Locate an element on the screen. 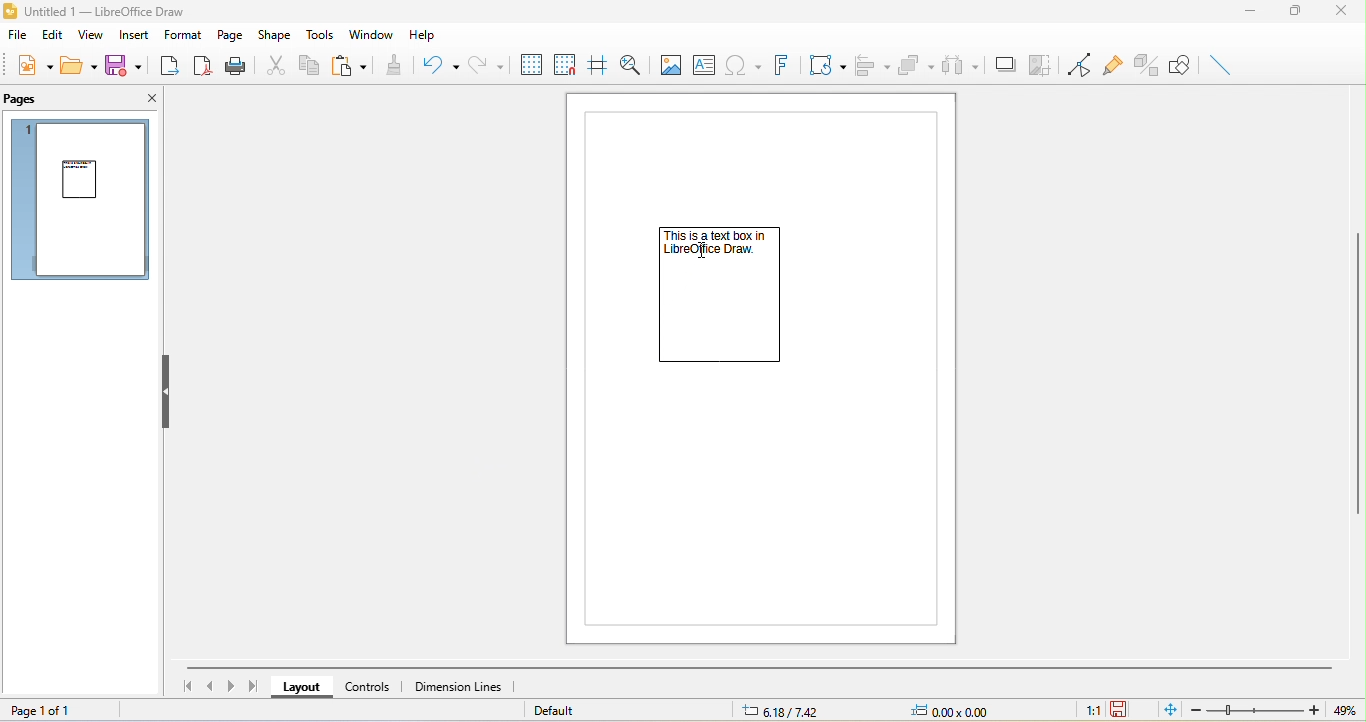  fit to the current window is located at coordinates (1167, 711).